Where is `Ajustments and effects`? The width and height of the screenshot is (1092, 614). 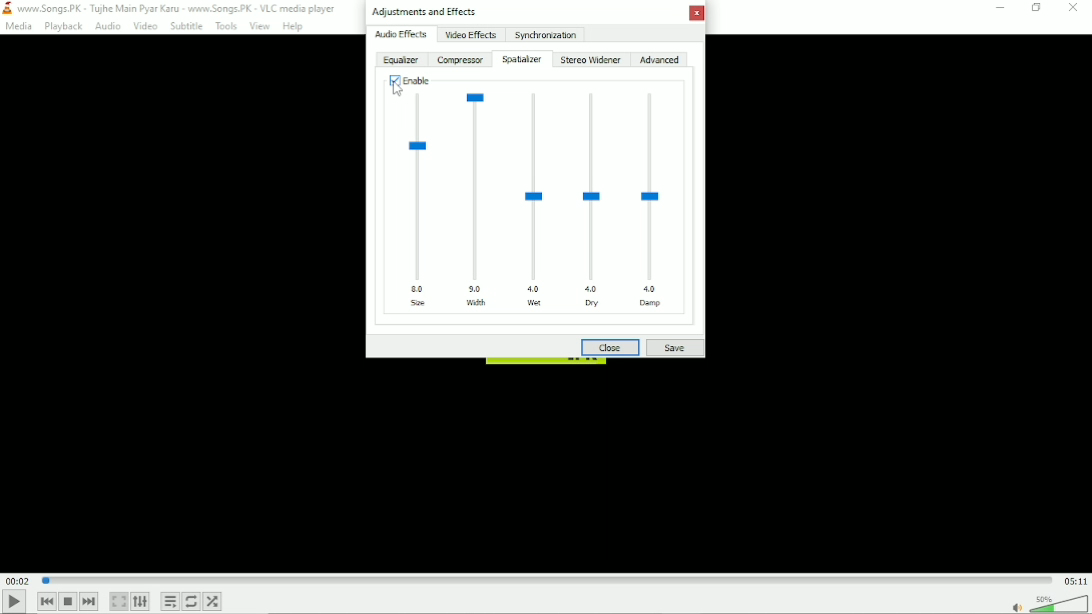
Ajustments and effects is located at coordinates (423, 12).